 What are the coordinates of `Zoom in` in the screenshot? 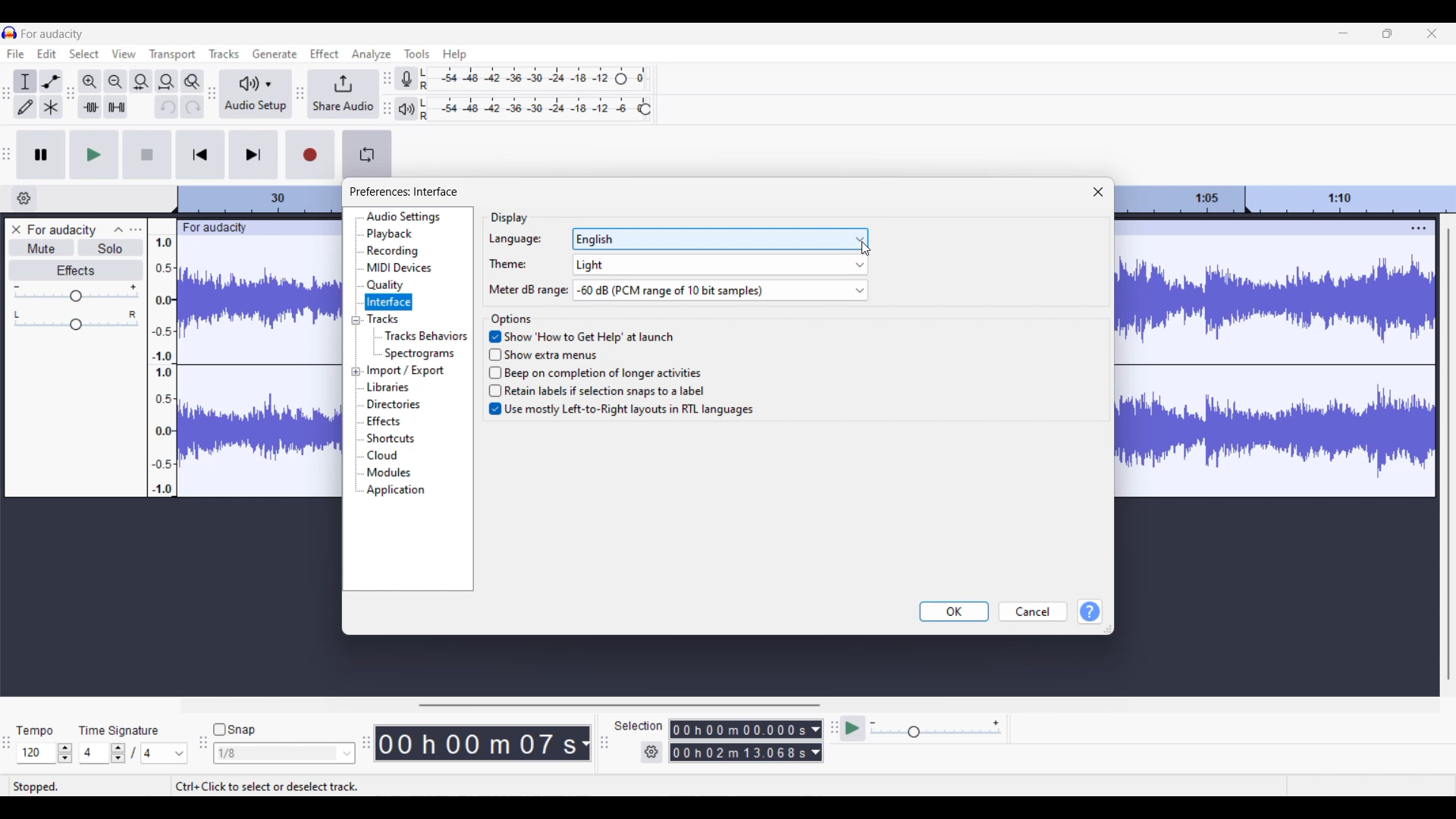 It's located at (90, 82).